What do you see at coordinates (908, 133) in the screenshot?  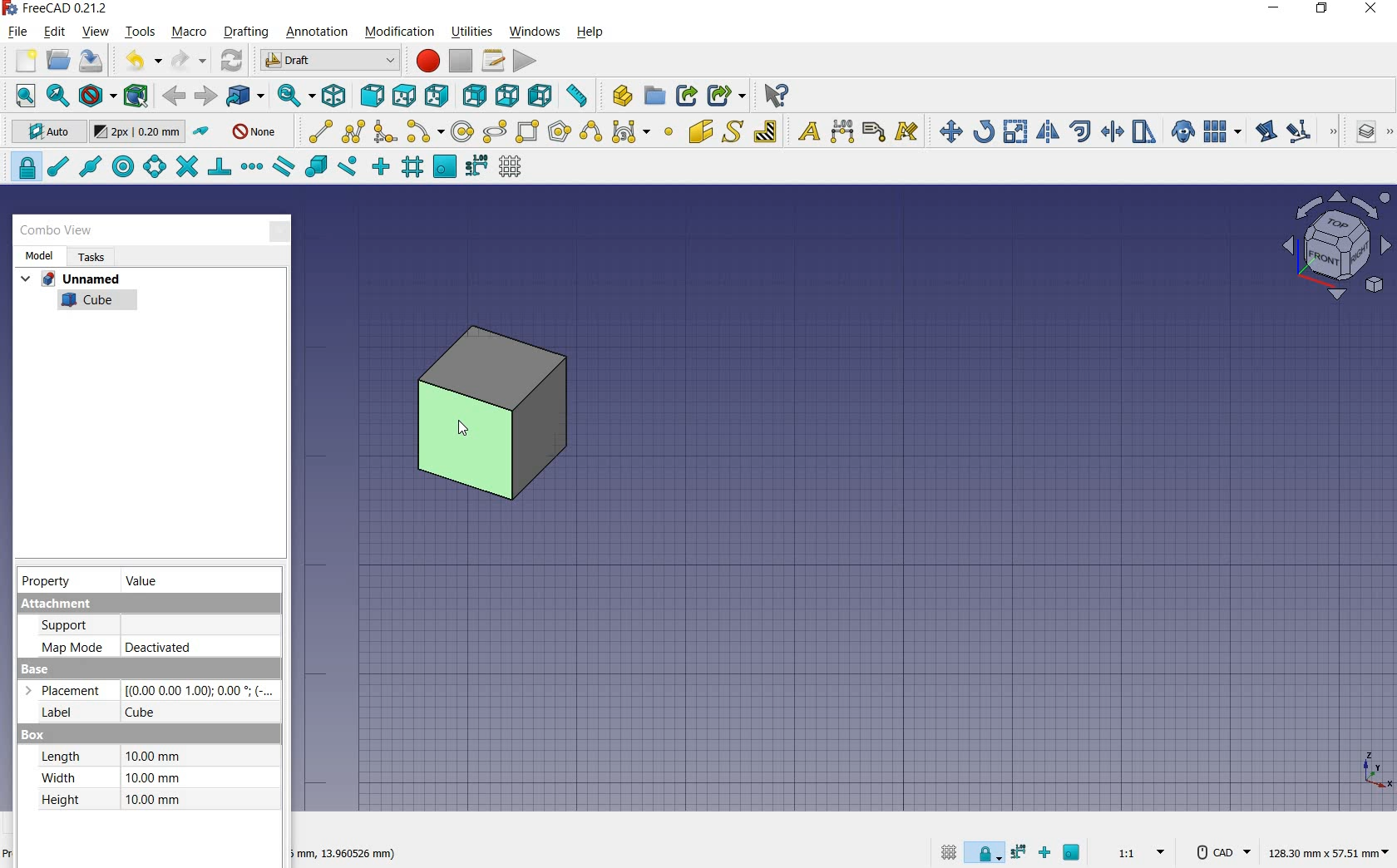 I see `annotation styles` at bounding box center [908, 133].